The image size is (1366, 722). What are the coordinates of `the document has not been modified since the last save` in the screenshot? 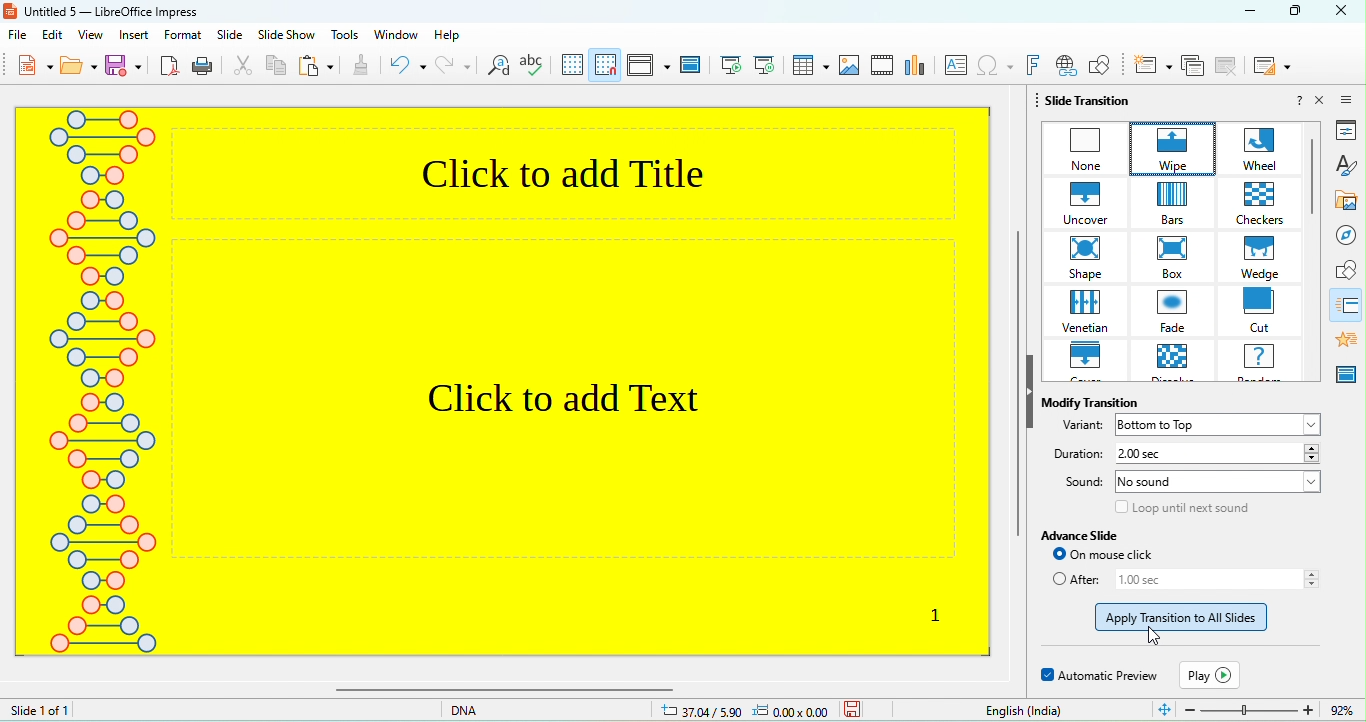 It's located at (869, 710).